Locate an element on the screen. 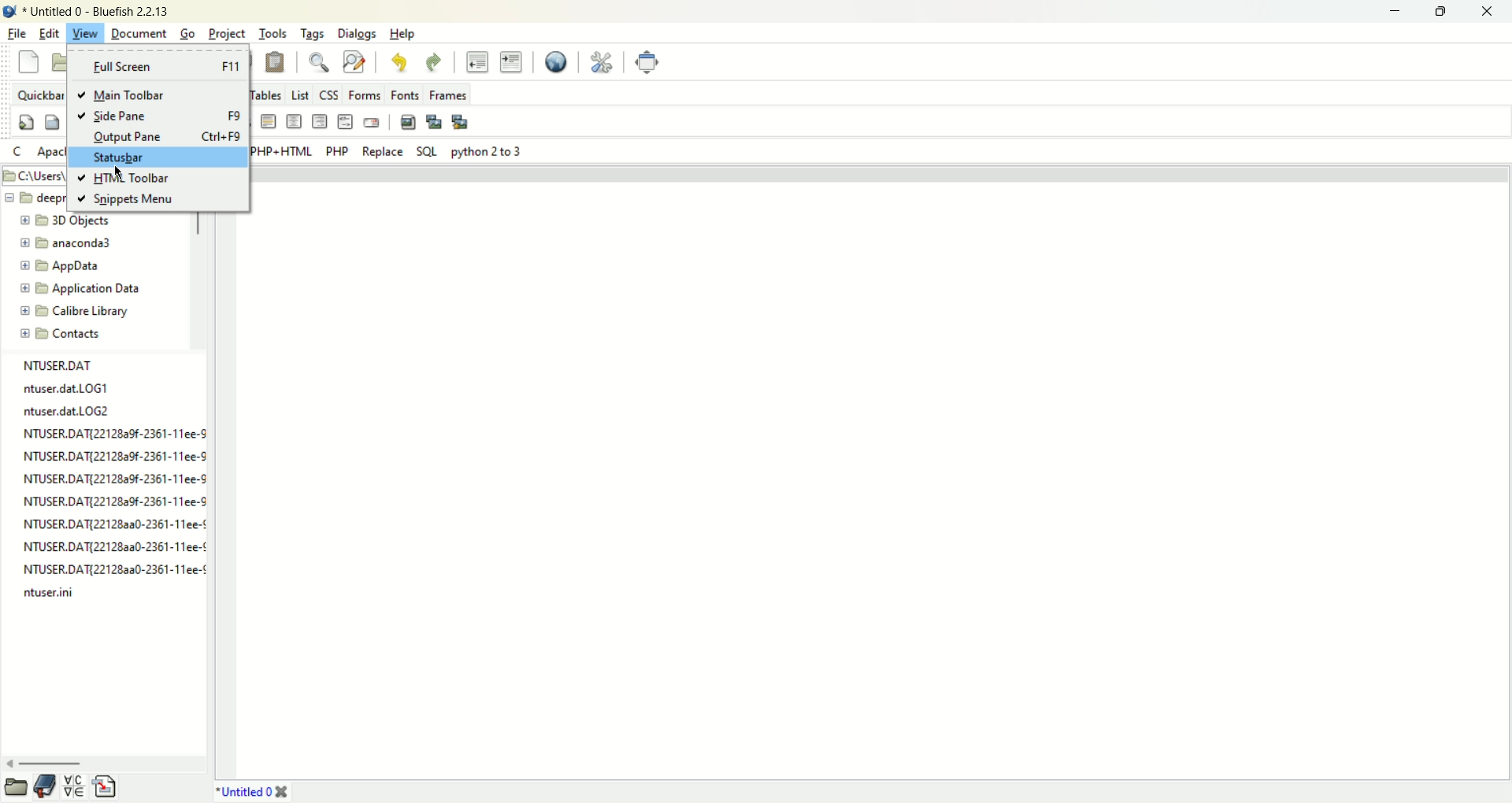 This screenshot has width=1512, height=803. insert thumbnail is located at coordinates (435, 121).